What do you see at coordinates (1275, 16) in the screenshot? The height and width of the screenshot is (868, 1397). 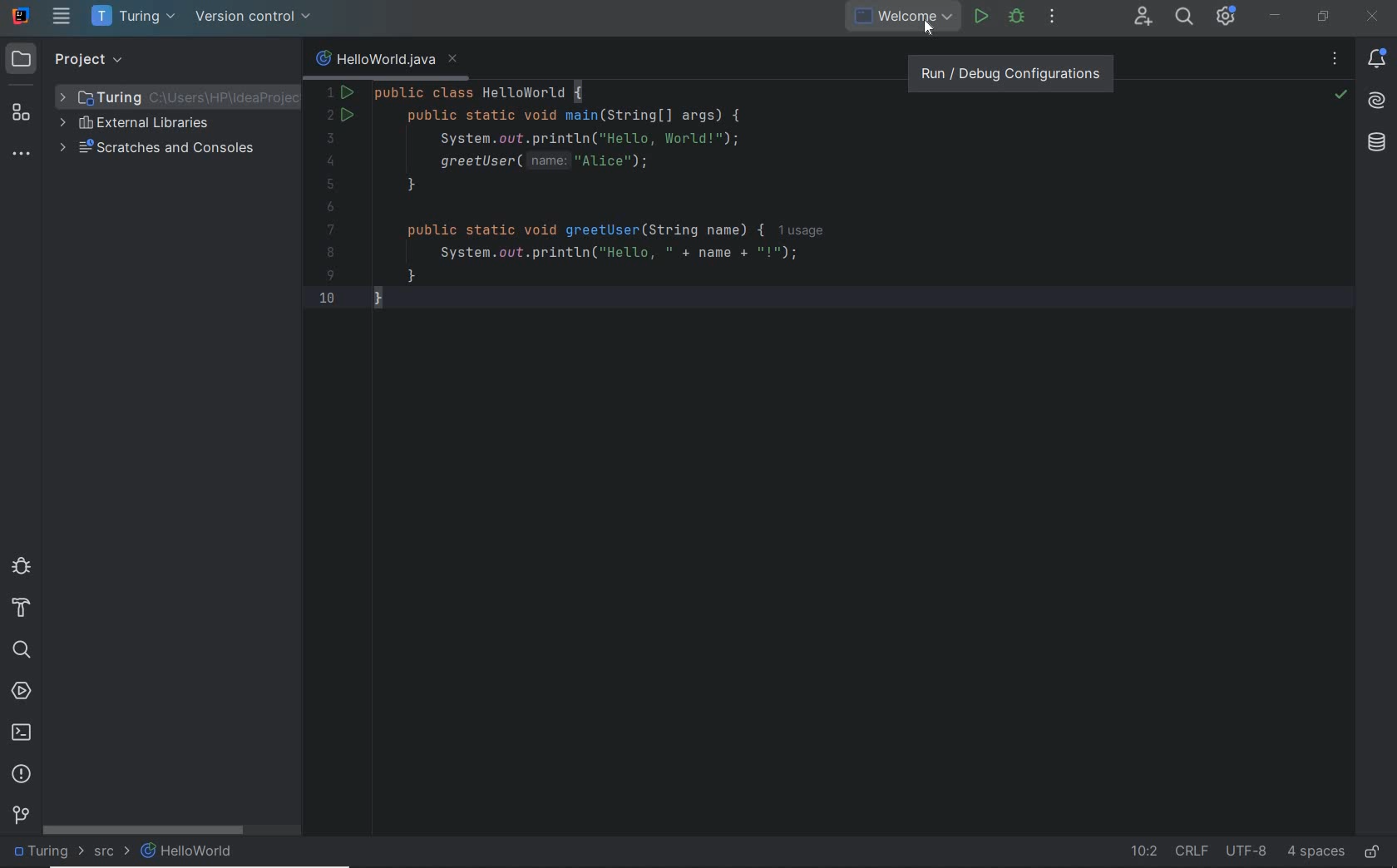 I see `MINIMIZE` at bounding box center [1275, 16].